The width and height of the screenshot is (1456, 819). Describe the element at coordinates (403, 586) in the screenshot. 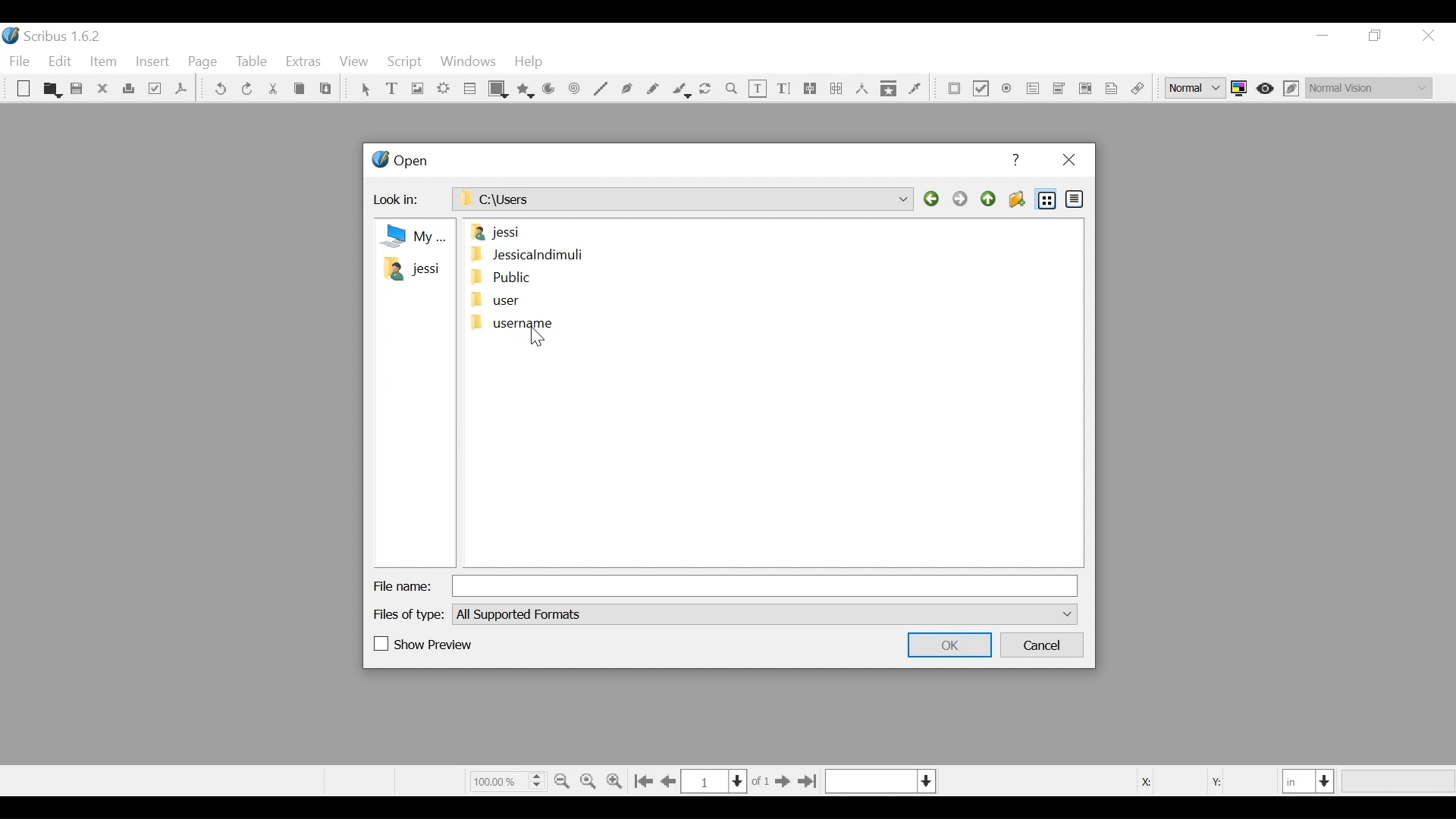

I see `File Name` at that location.